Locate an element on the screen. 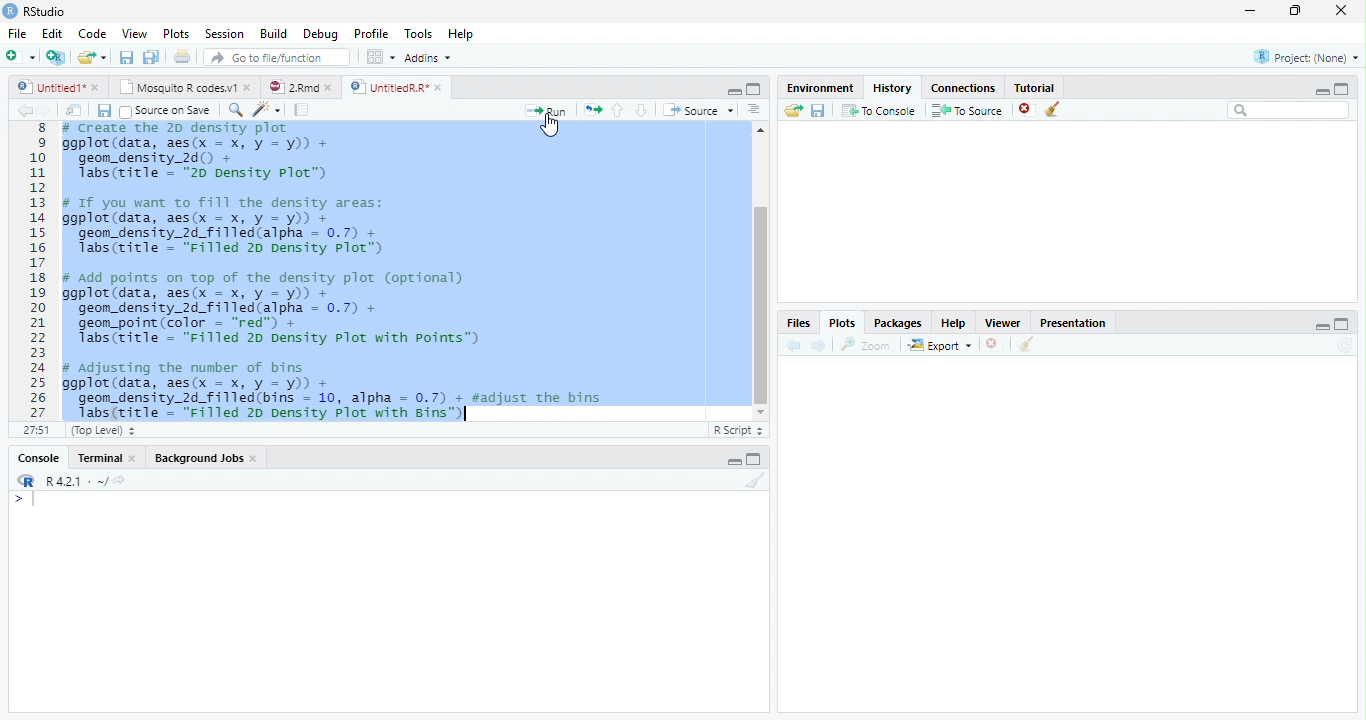 This screenshot has width=1366, height=720. UnttiedR Rr” is located at coordinates (387, 86).